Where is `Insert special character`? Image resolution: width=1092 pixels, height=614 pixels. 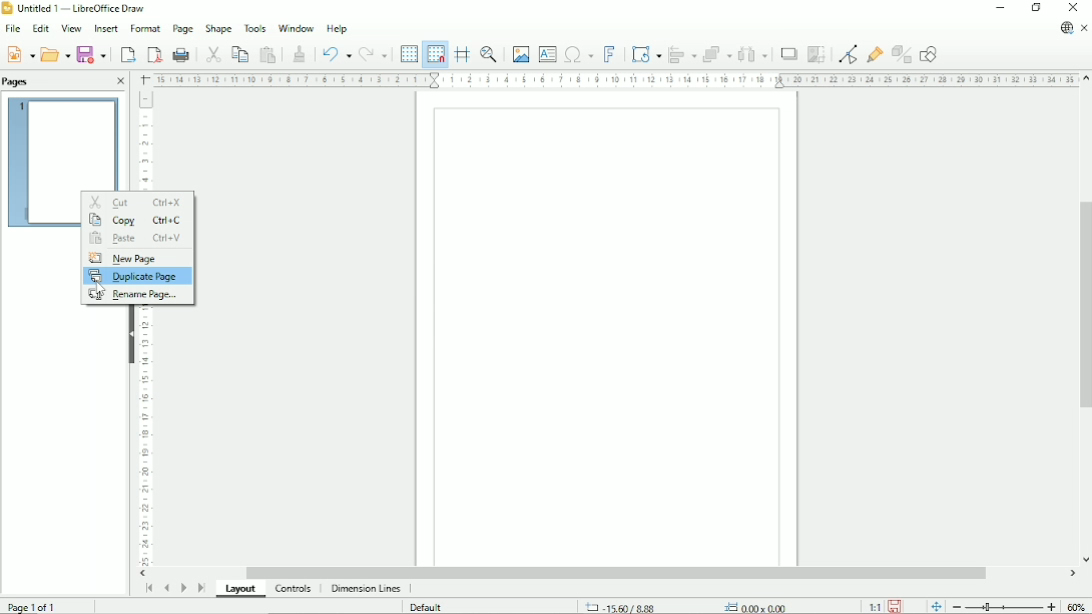
Insert special character is located at coordinates (578, 53).